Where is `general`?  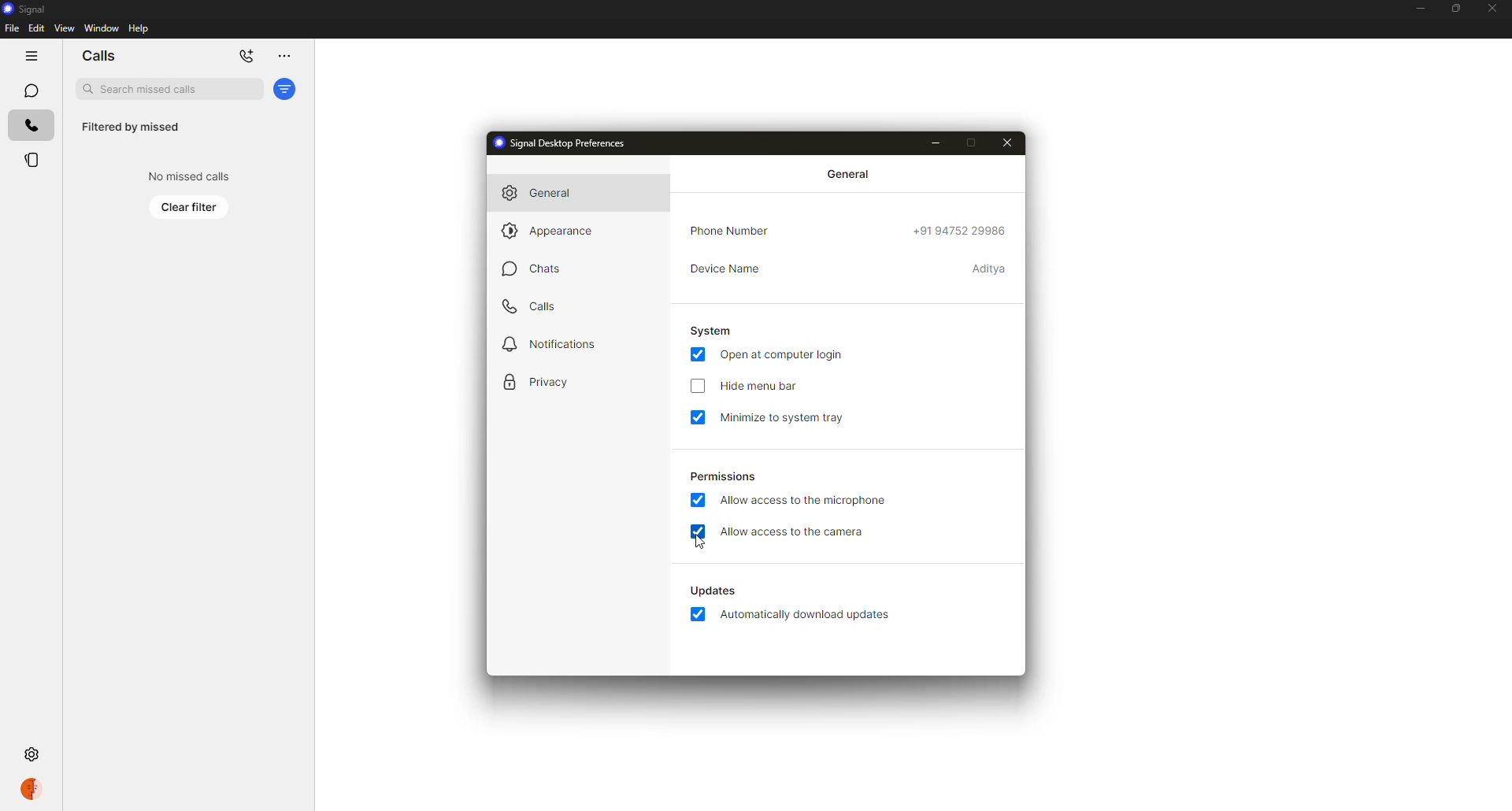 general is located at coordinates (848, 174).